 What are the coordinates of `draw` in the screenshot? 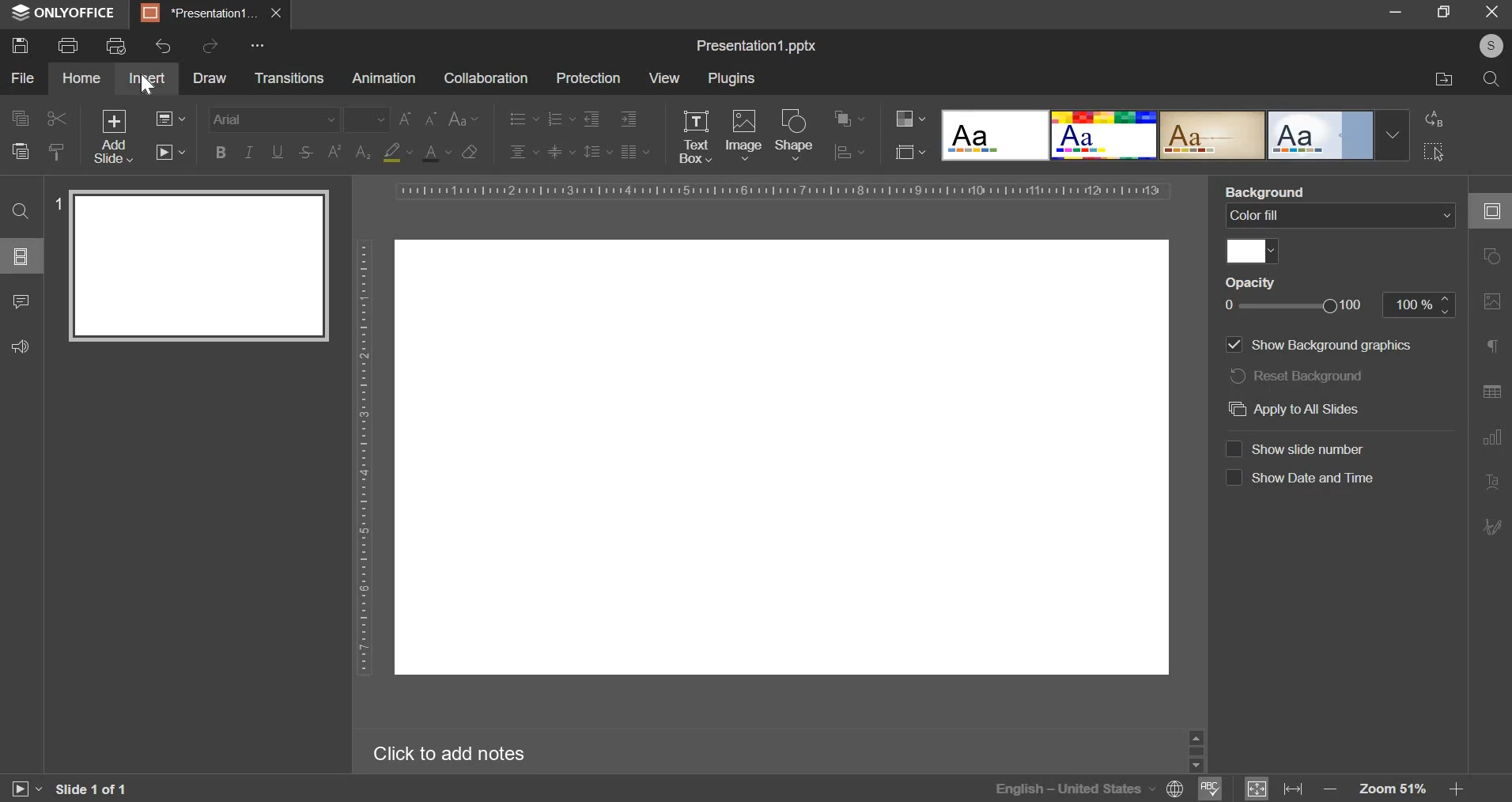 It's located at (209, 78).